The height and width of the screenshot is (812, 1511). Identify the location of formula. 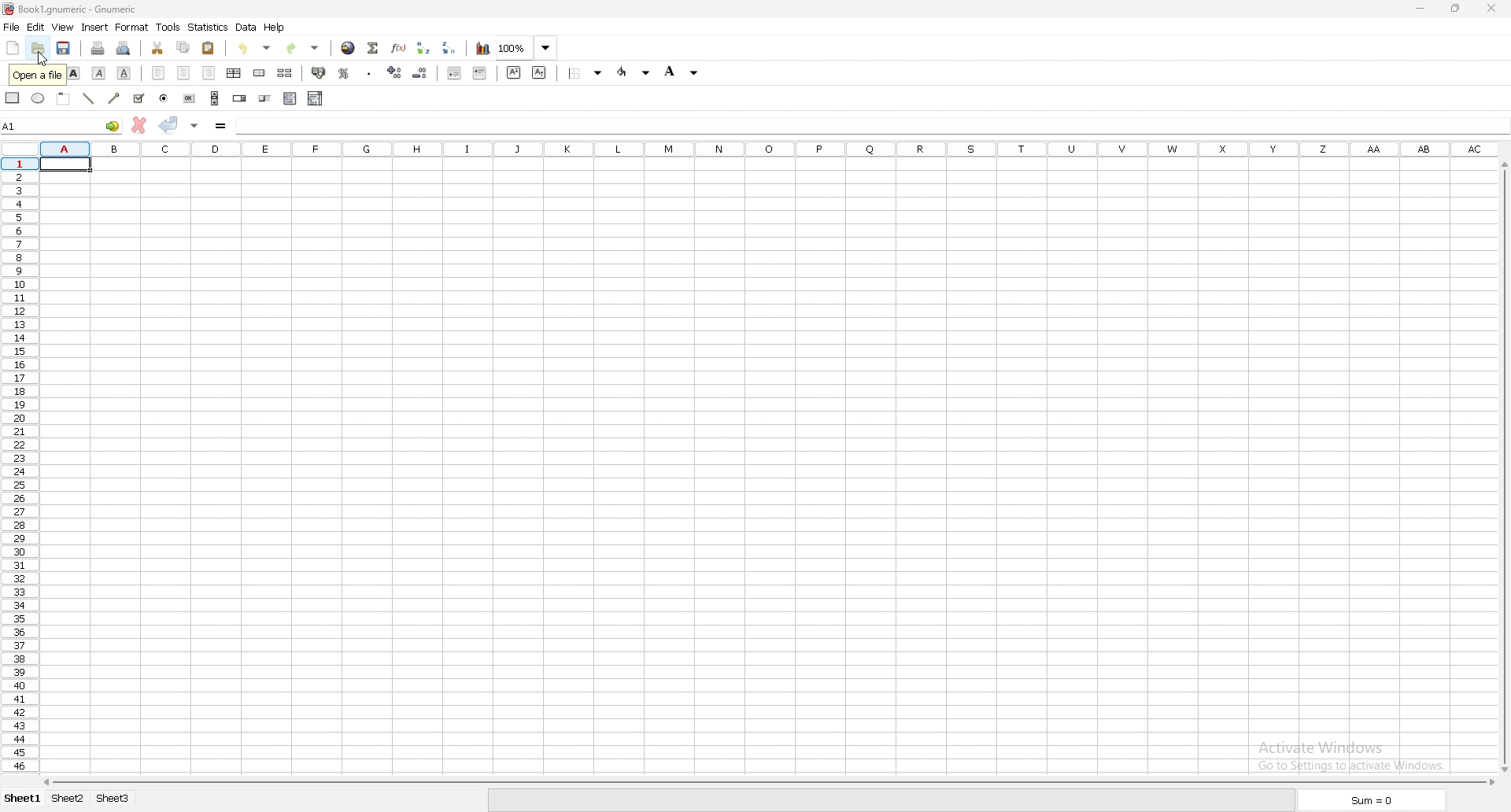
(221, 125).